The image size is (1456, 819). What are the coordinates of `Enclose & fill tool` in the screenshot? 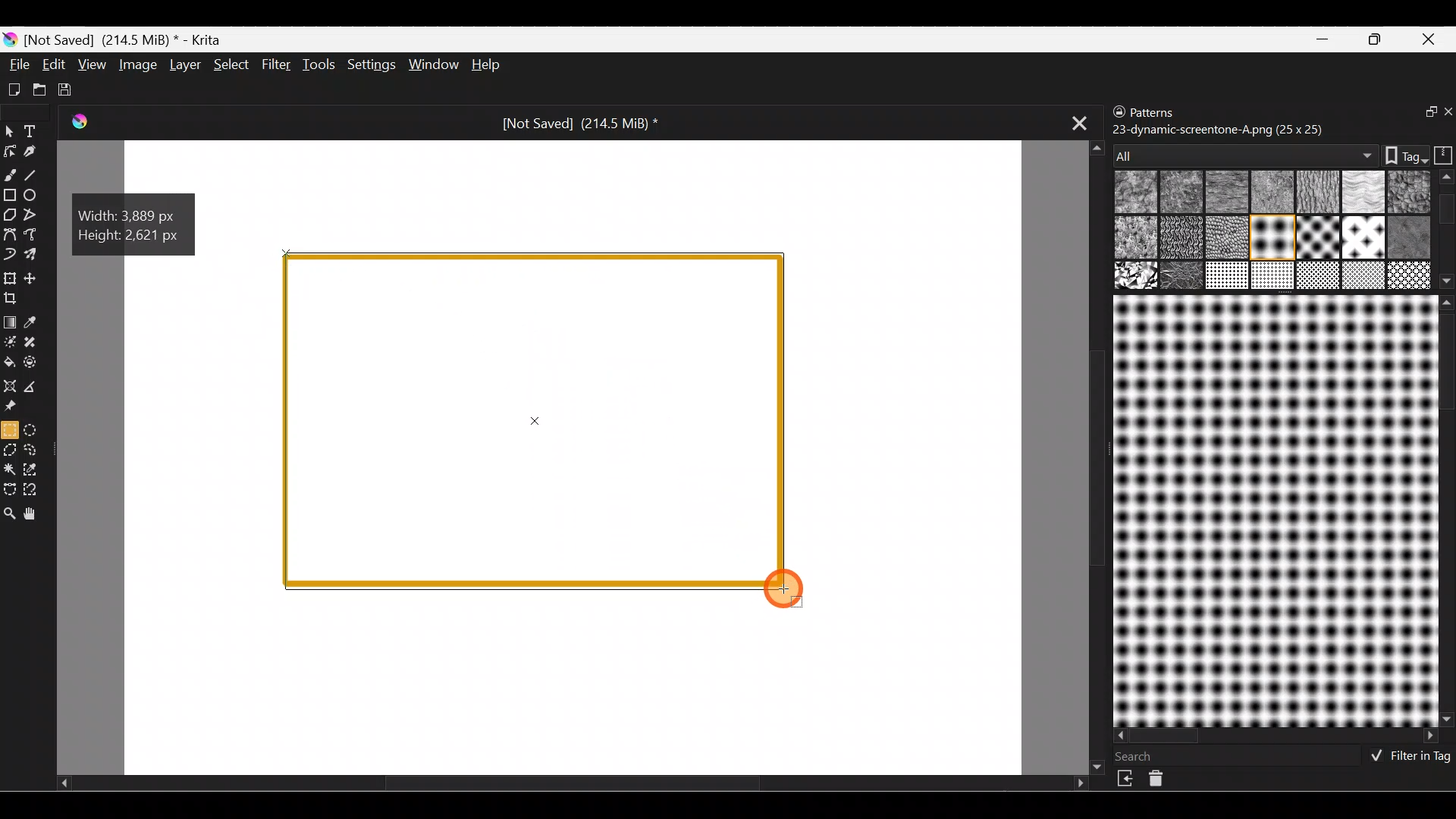 It's located at (38, 362).